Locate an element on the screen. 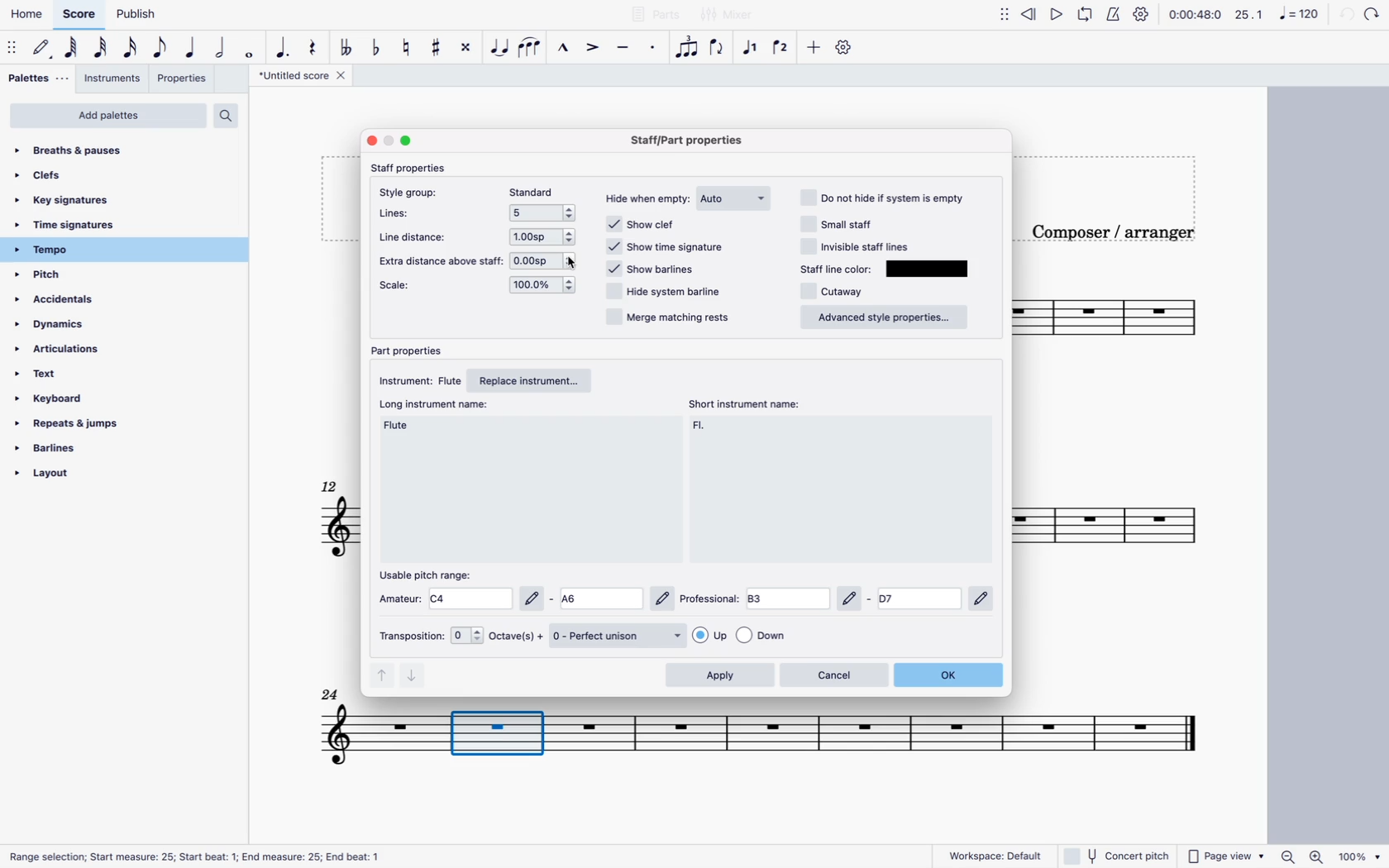  hide when empty is located at coordinates (647, 201).